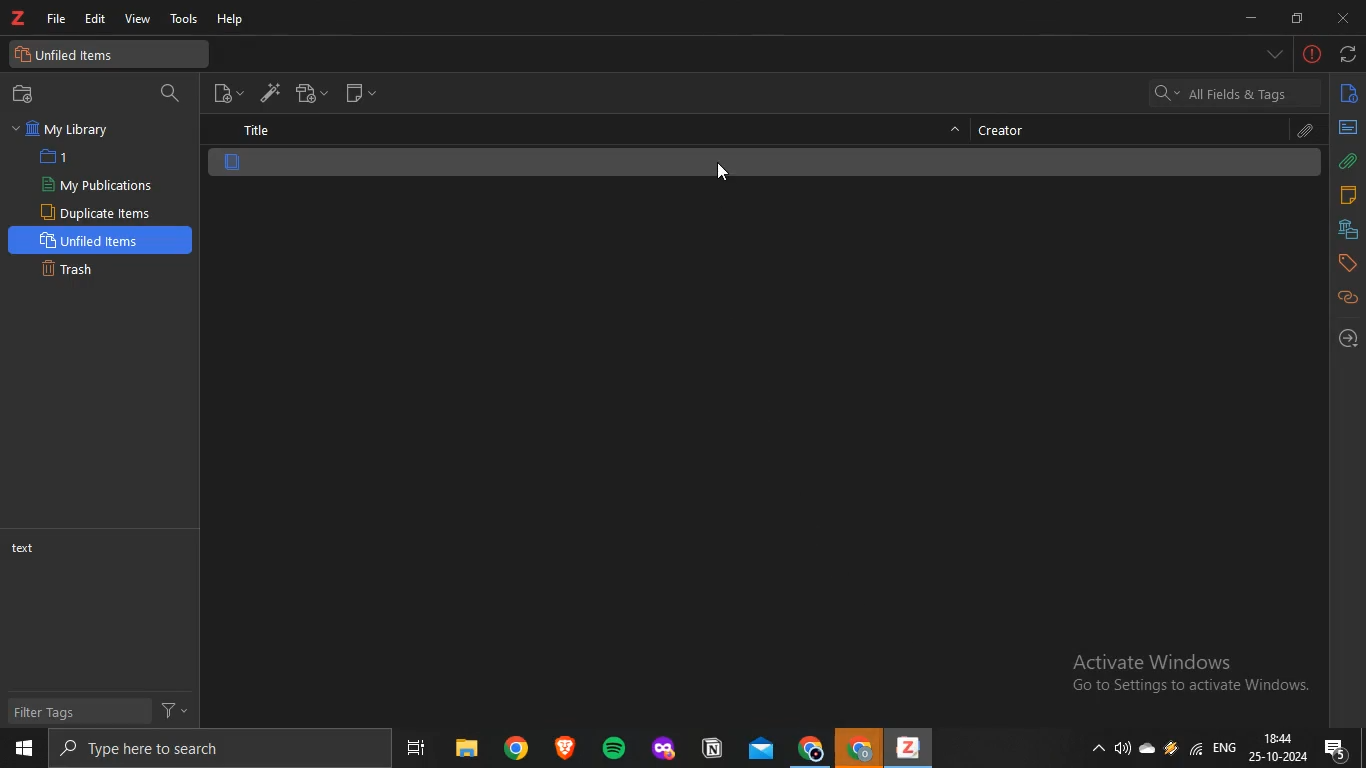 This screenshot has width=1366, height=768. Describe the element at coordinates (71, 269) in the screenshot. I see `trash` at that location.